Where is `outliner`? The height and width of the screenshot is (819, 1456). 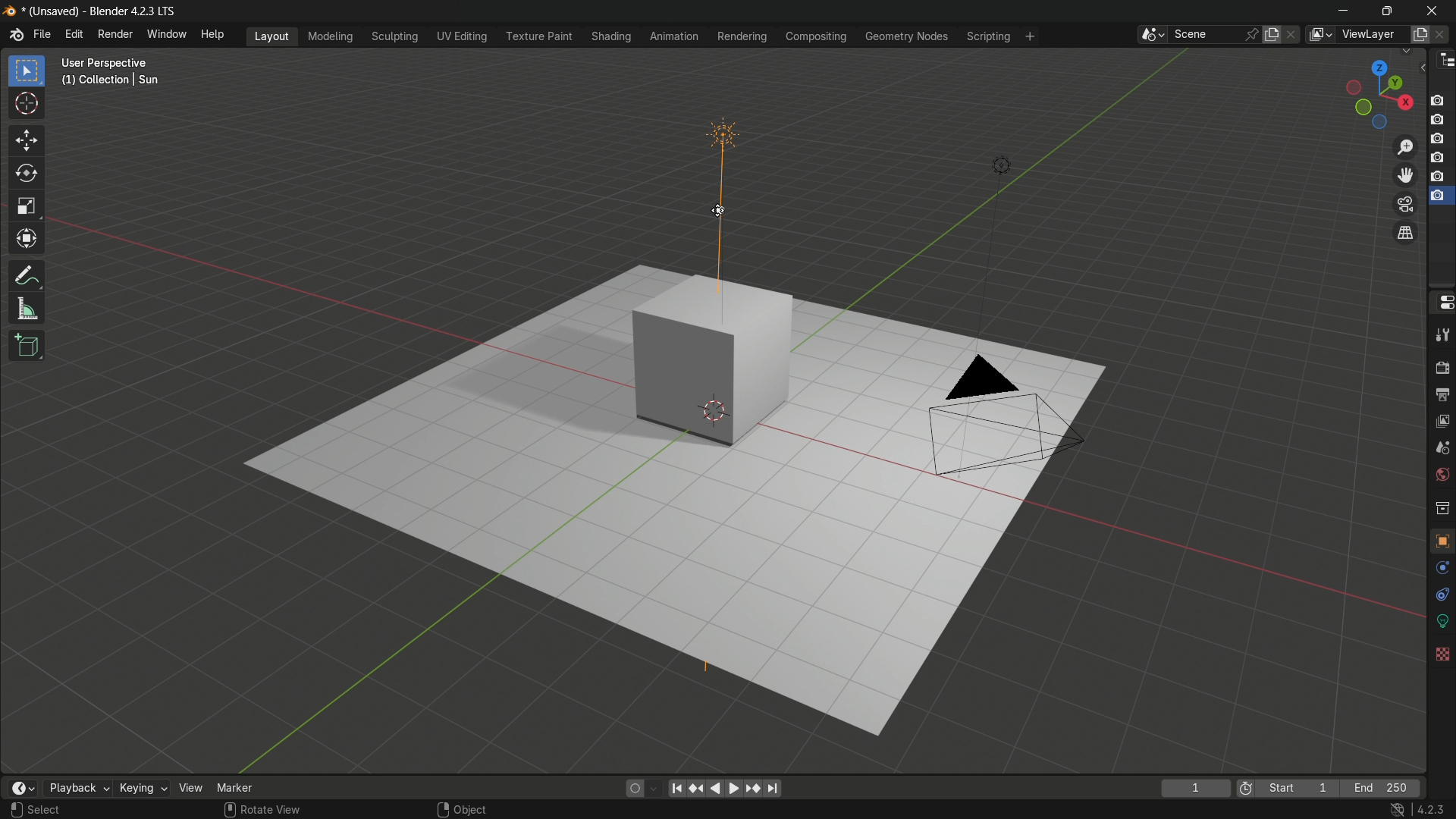
outliner is located at coordinates (1446, 62).